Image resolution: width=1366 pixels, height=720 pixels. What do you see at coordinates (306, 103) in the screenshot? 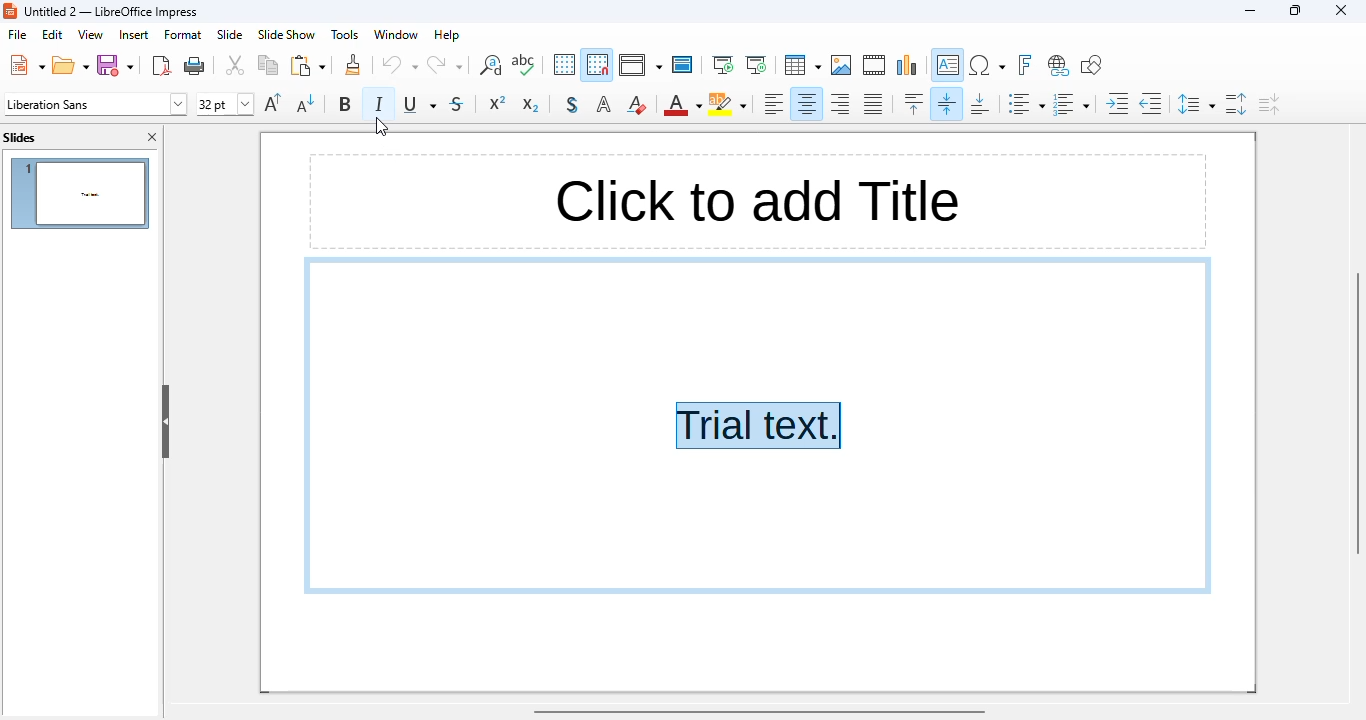
I see `decrease font size` at bounding box center [306, 103].